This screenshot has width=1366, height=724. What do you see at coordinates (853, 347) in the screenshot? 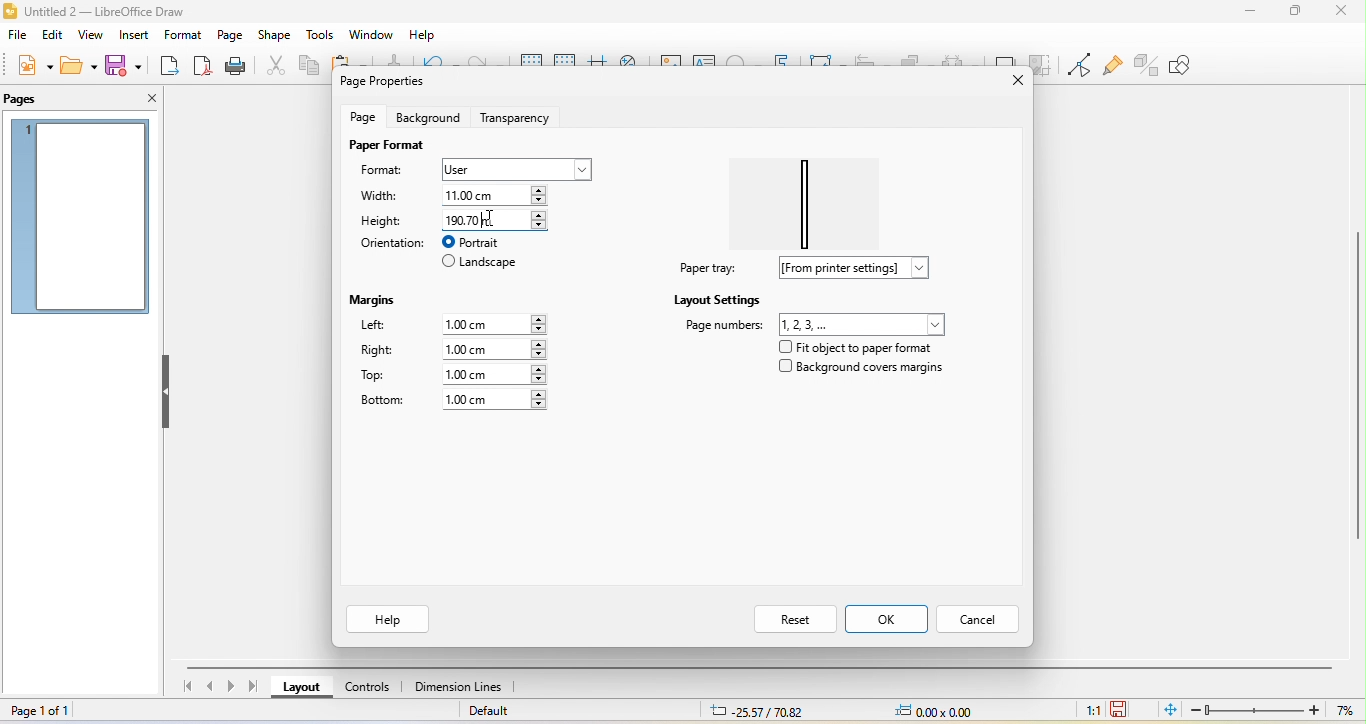
I see `fit object to paper format` at bounding box center [853, 347].